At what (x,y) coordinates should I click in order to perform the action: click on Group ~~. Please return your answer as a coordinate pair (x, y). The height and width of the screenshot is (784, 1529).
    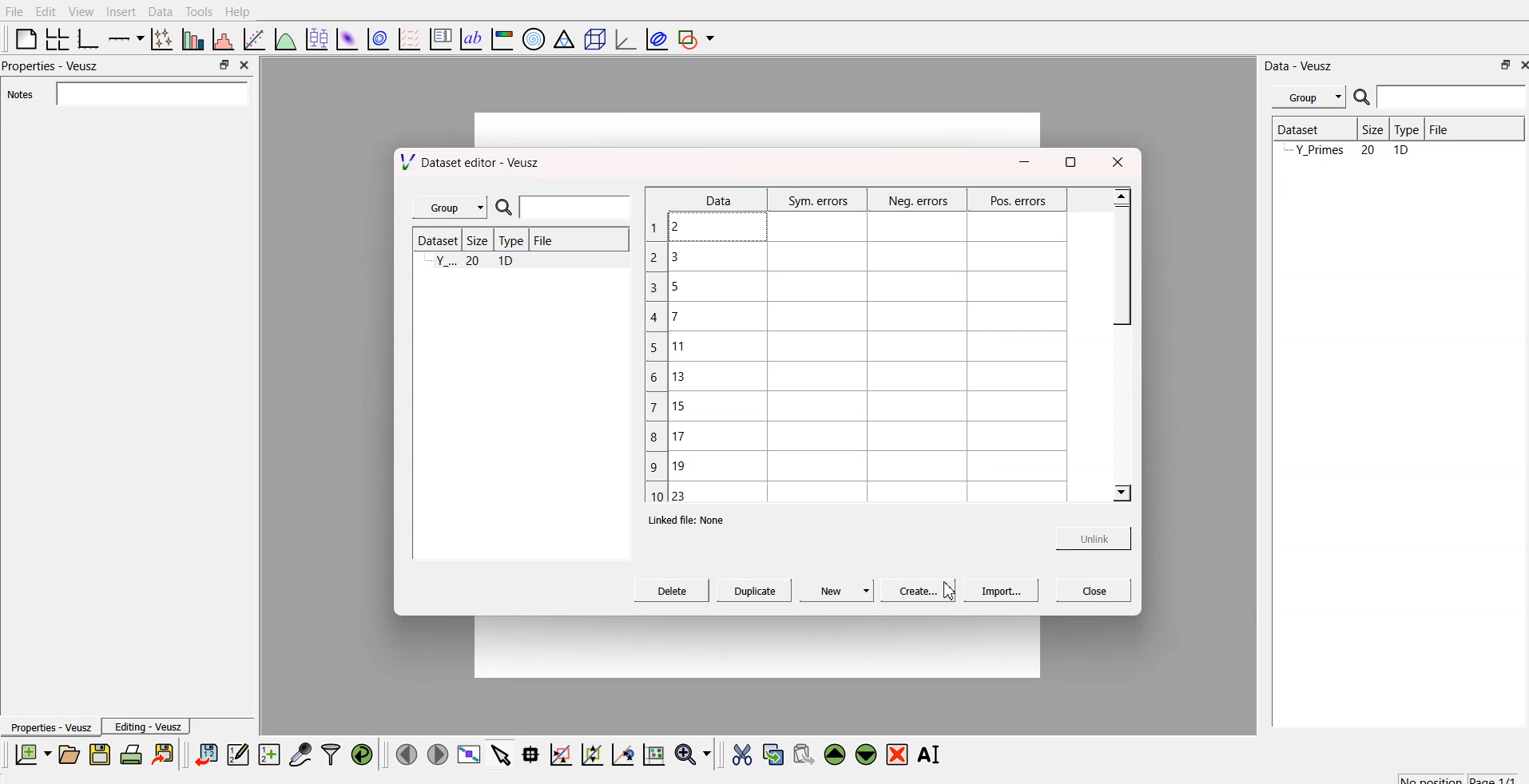
    Looking at the image, I should click on (449, 208).